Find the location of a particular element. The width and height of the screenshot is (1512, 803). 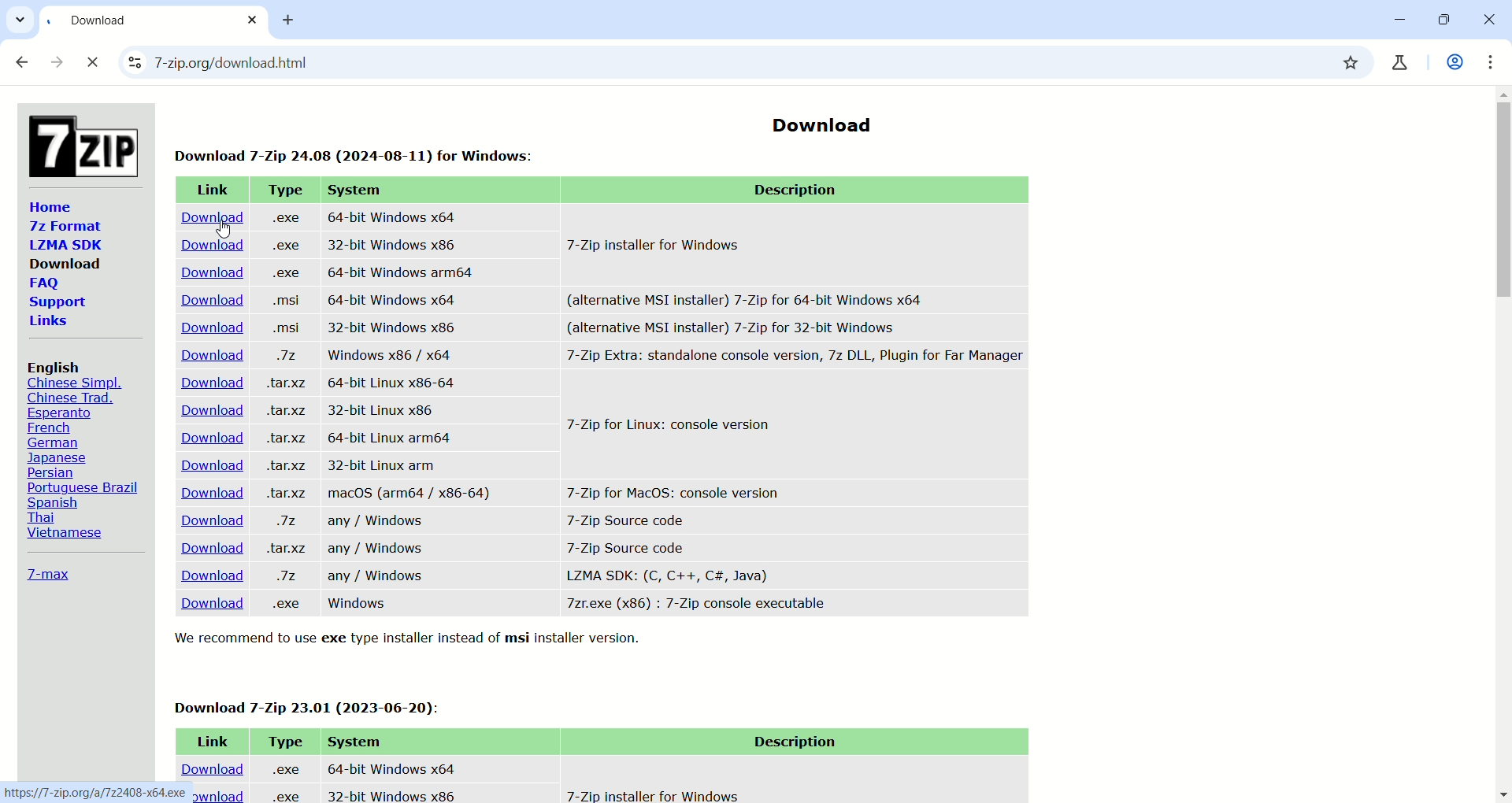

Type is located at coordinates (283, 190).